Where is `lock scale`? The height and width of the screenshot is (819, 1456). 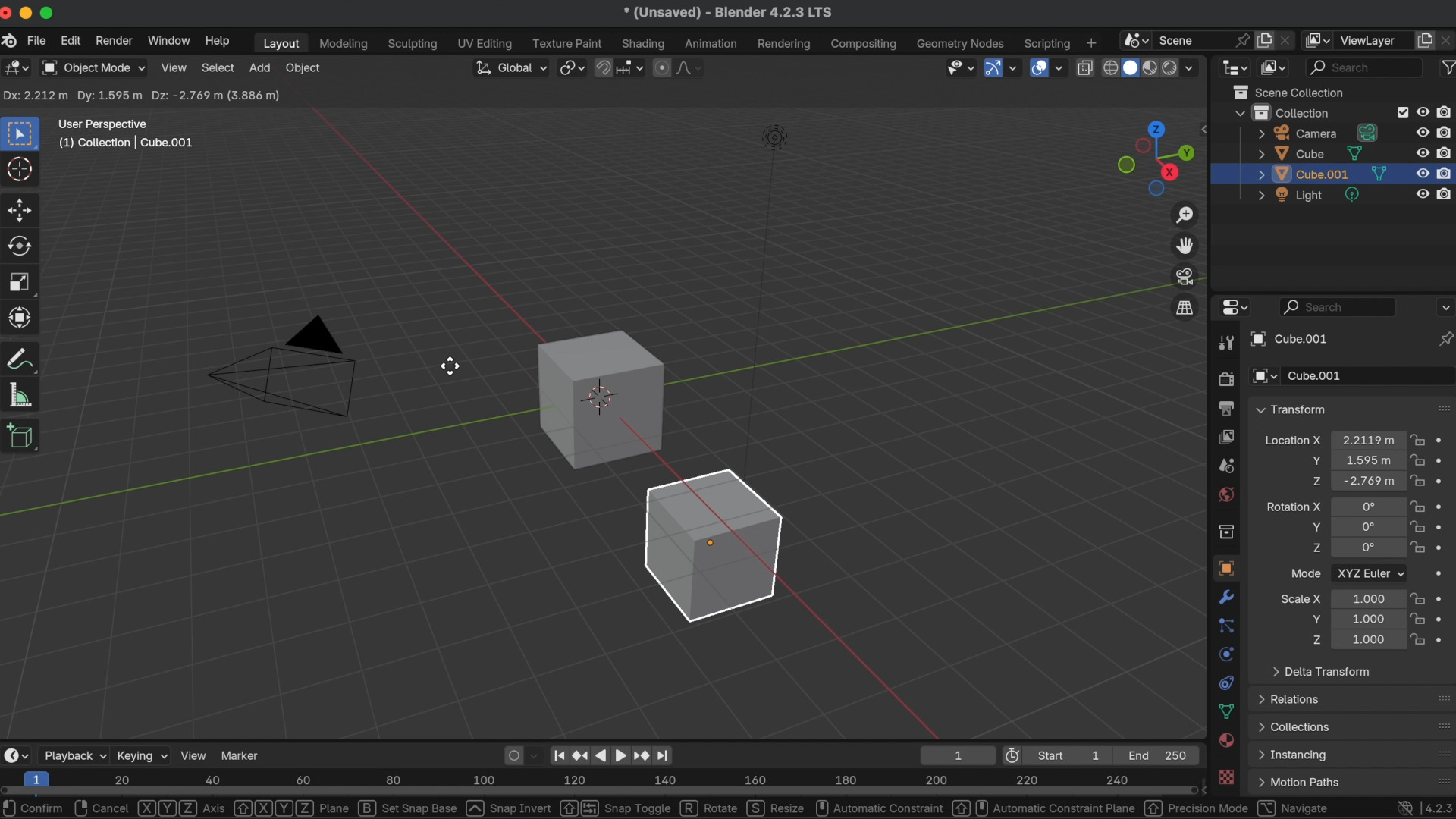 lock scale is located at coordinates (1420, 637).